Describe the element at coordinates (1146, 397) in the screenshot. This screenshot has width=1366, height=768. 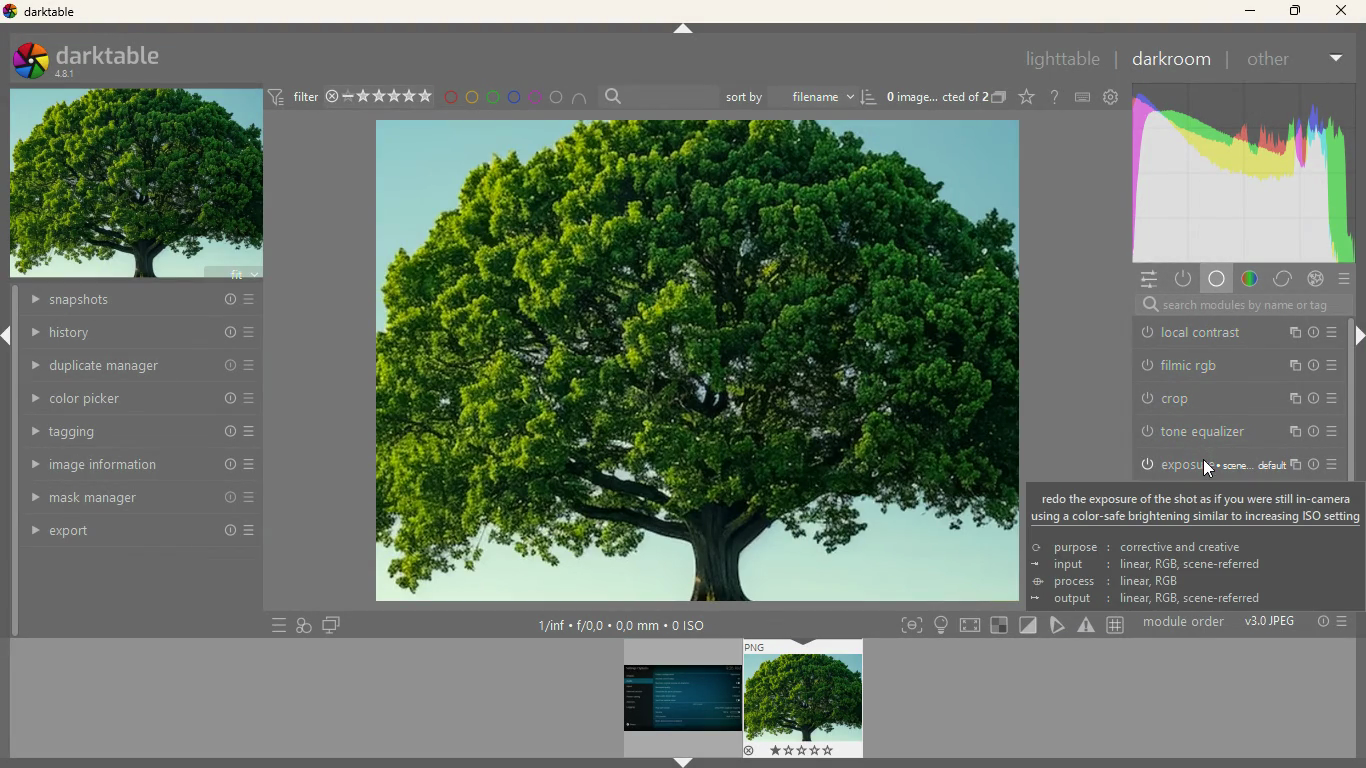
I see `power` at that location.